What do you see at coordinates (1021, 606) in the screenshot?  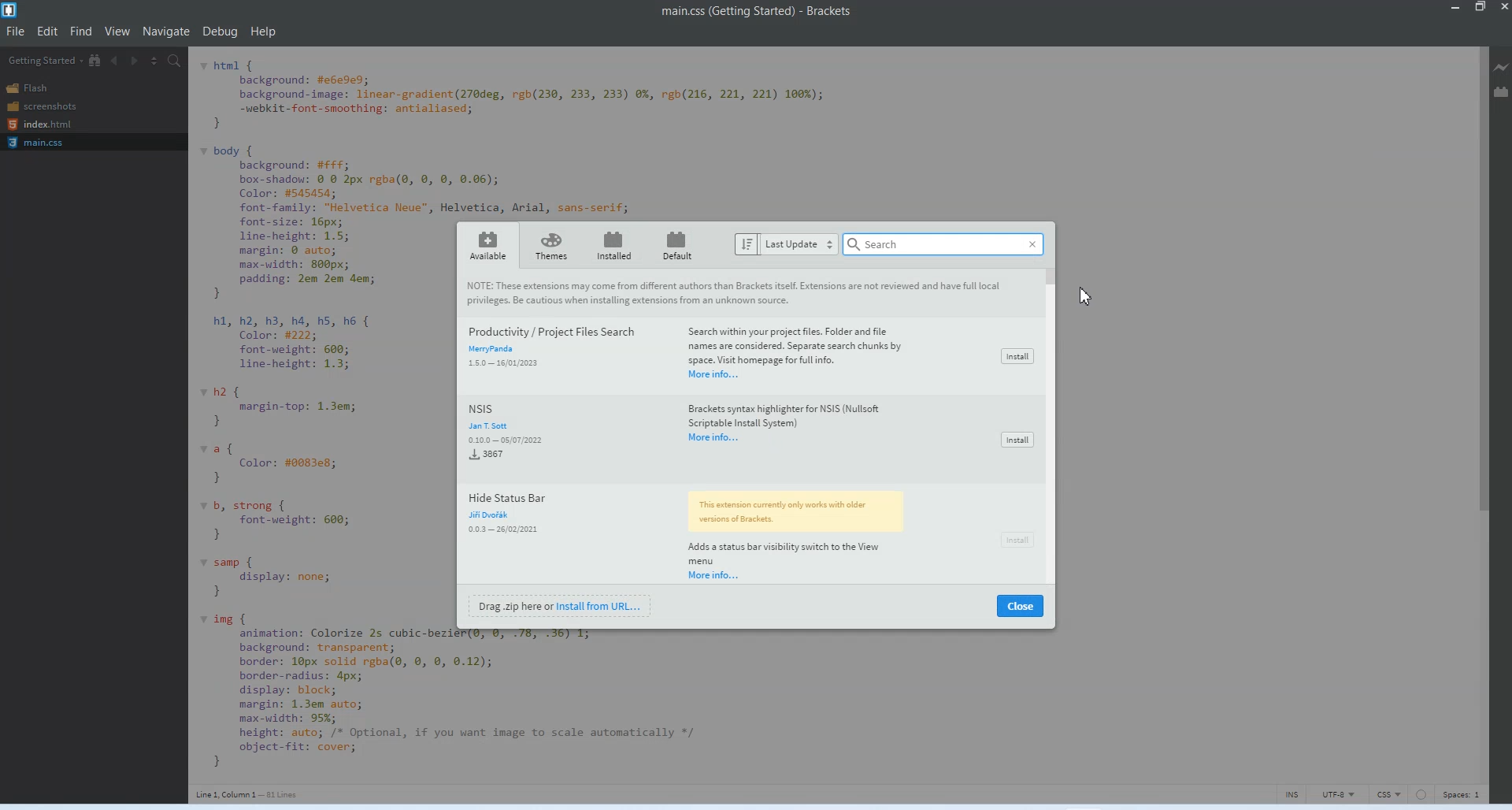 I see `Close` at bounding box center [1021, 606].